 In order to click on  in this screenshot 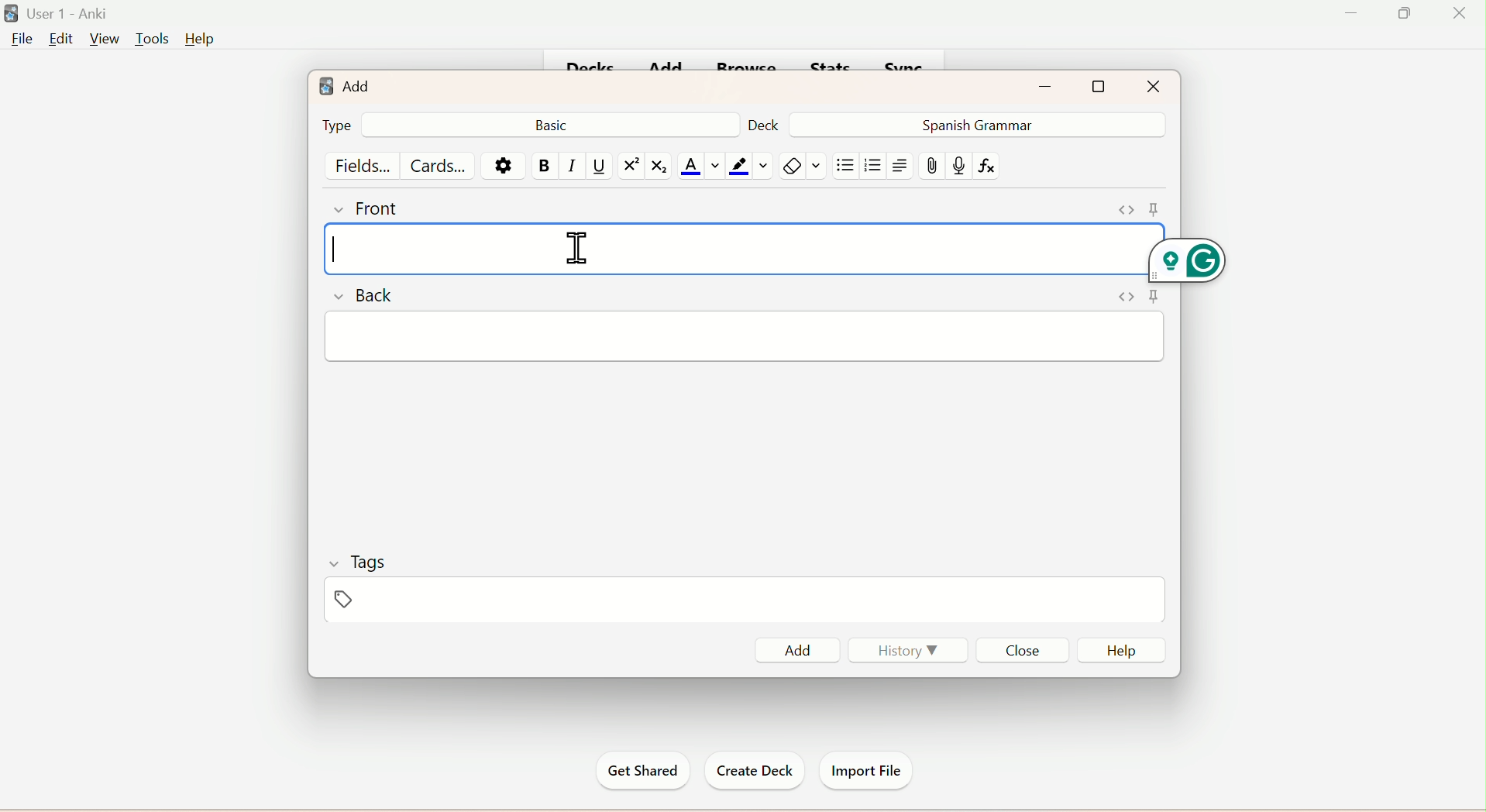, I will do `click(1213, 256)`.